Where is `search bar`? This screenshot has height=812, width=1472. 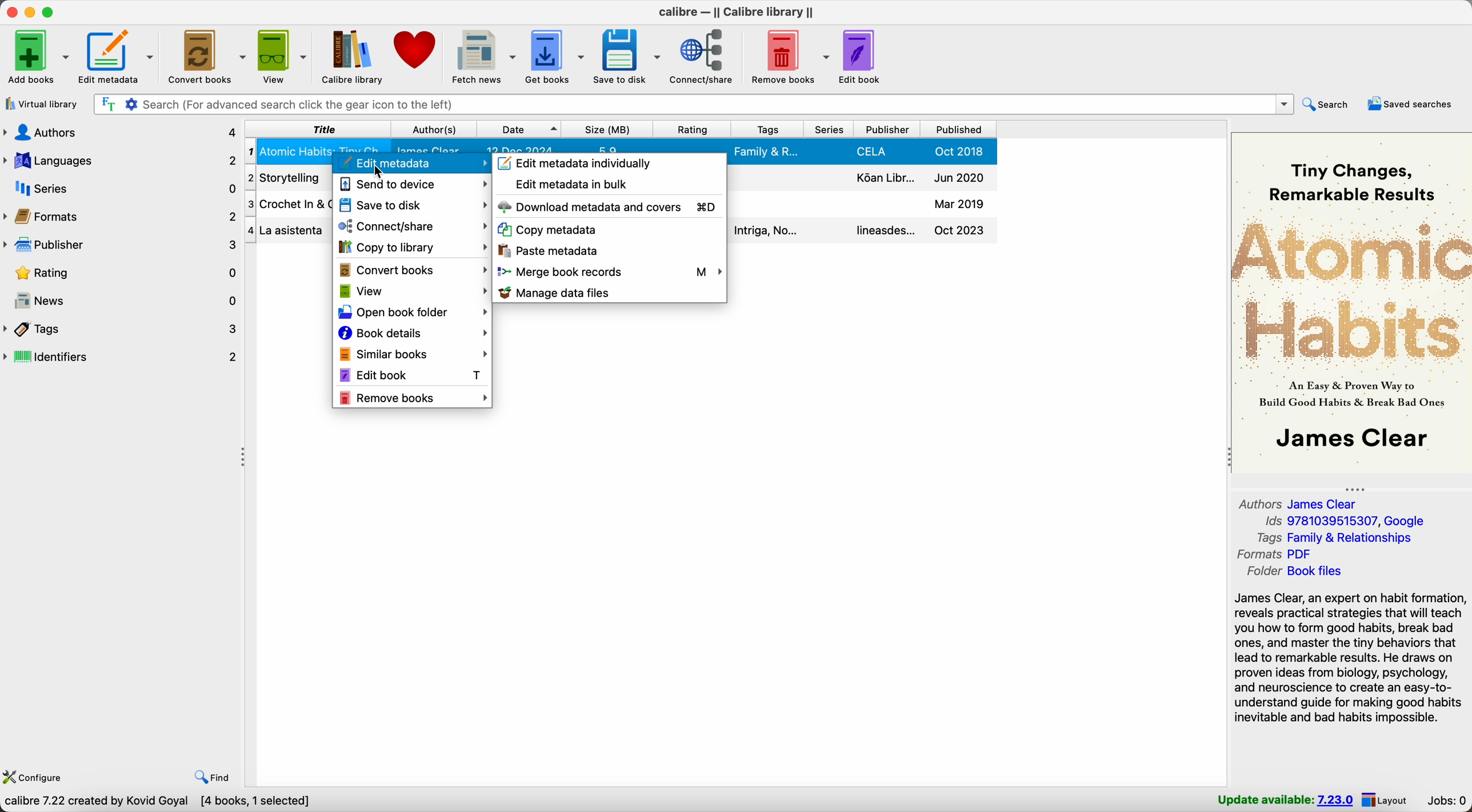
search bar is located at coordinates (691, 103).